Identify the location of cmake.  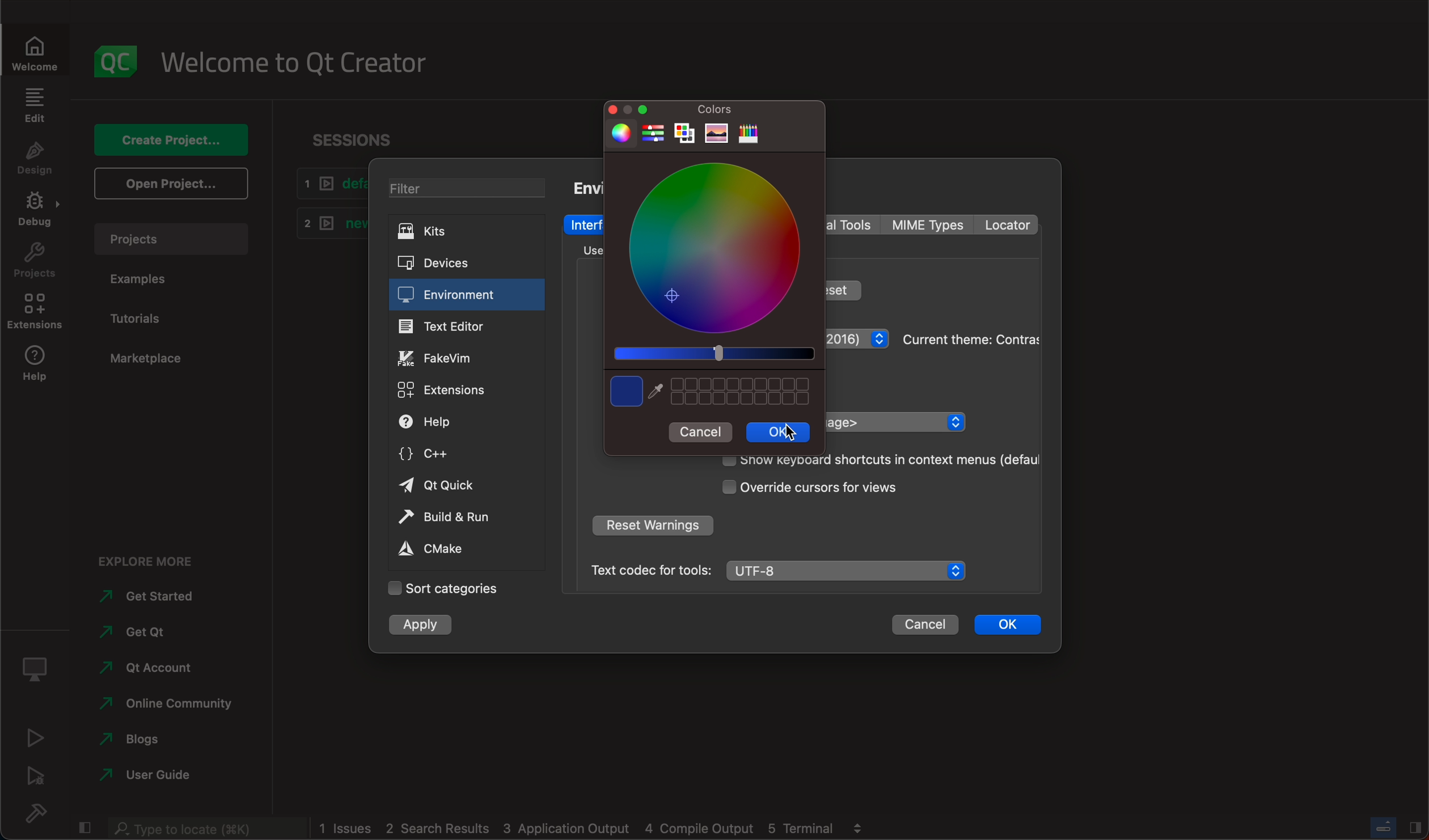
(458, 549).